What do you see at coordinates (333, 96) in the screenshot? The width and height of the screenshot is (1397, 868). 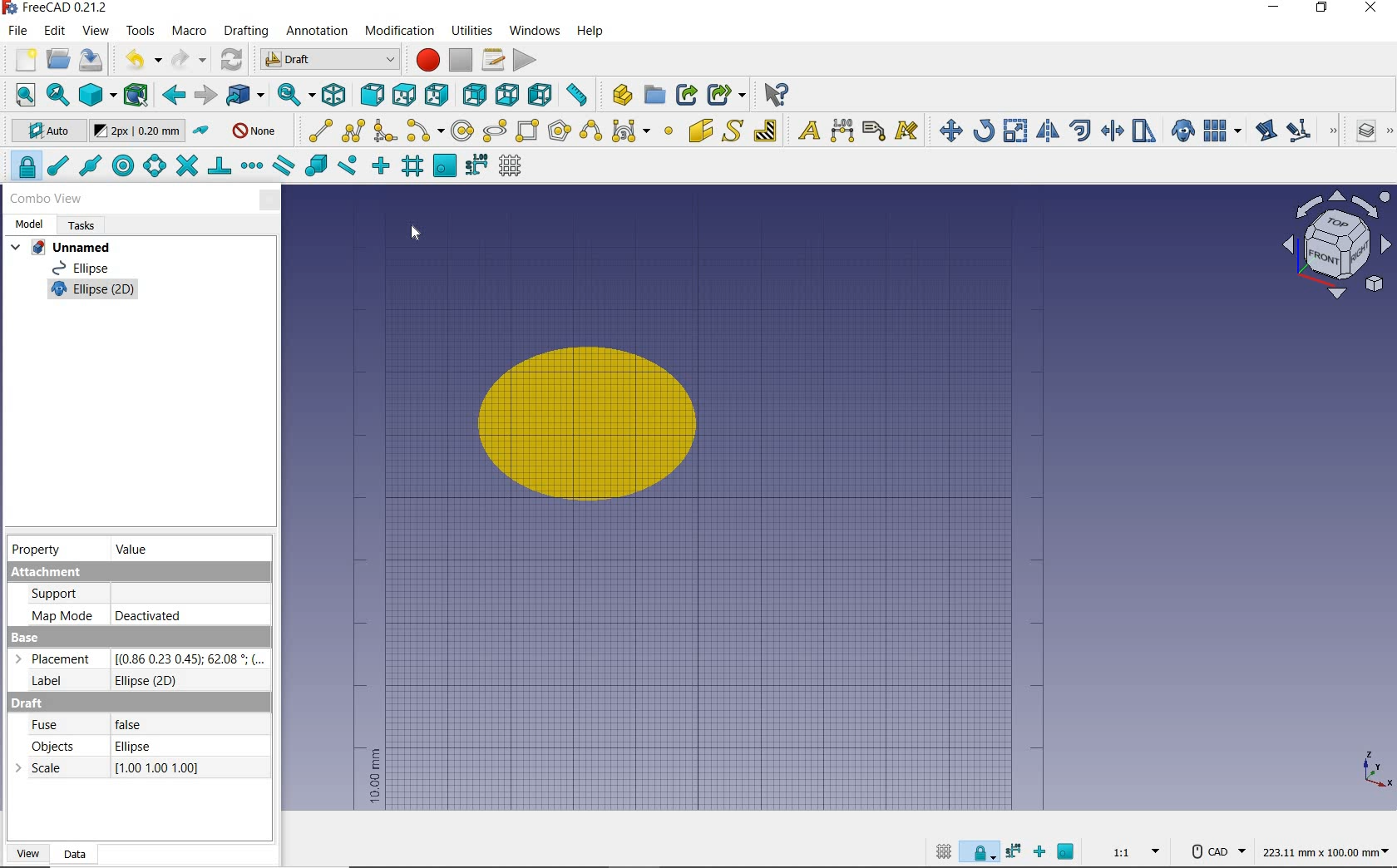 I see `isometric` at bounding box center [333, 96].